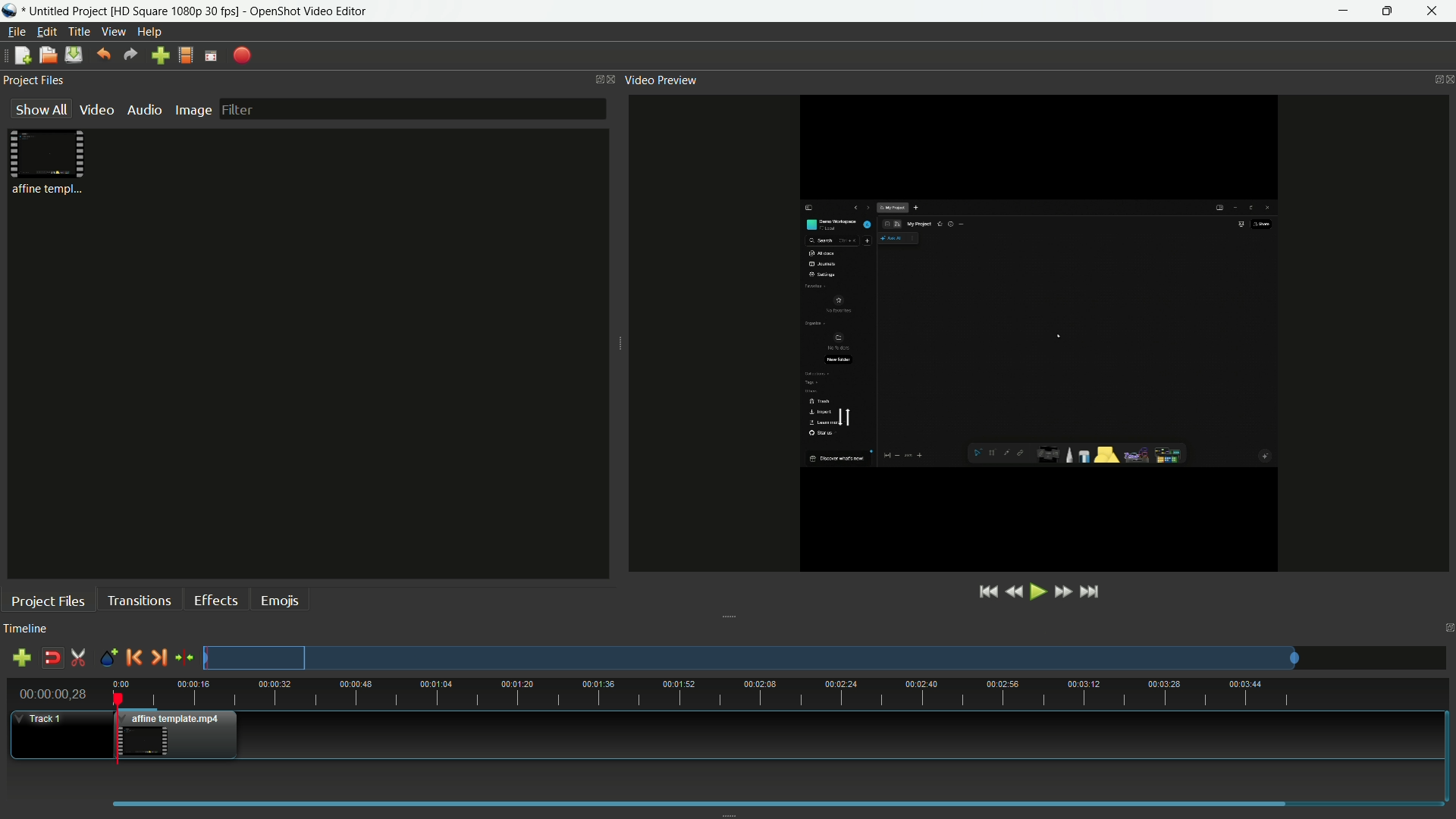  I want to click on timeline, so click(26, 629).